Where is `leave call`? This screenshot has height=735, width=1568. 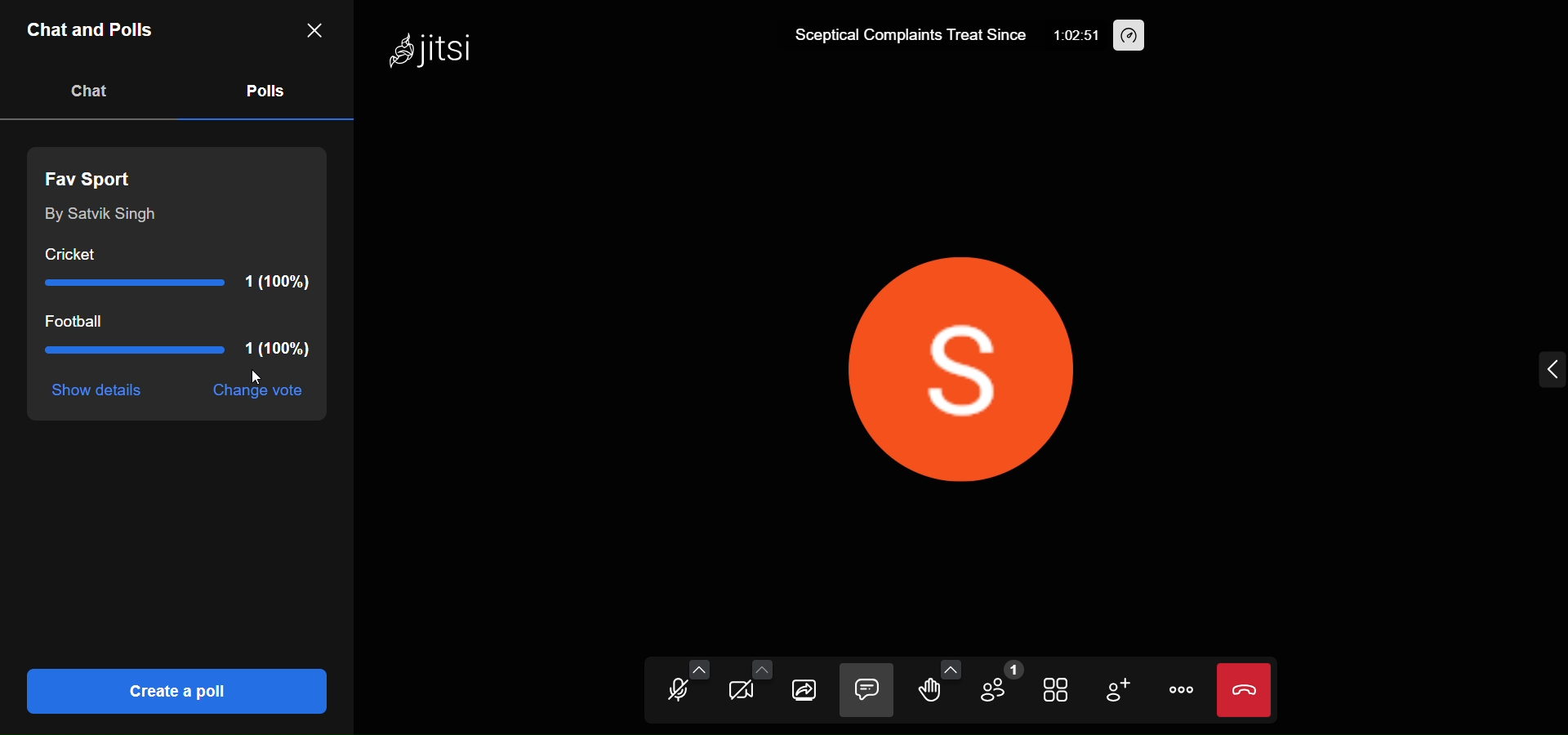 leave call is located at coordinates (1244, 690).